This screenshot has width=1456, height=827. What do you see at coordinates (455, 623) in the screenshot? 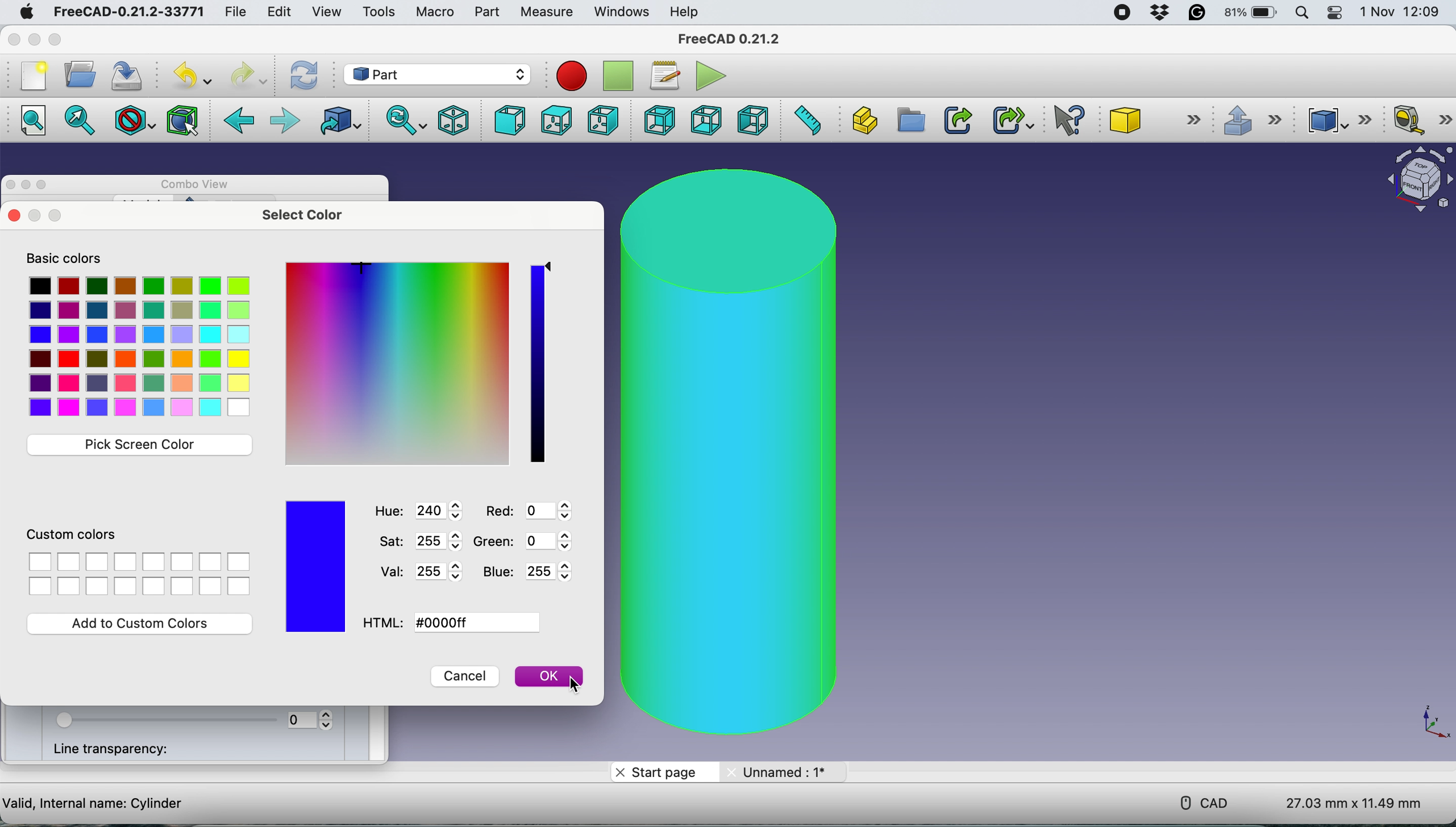
I see `html` at bounding box center [455, 623].